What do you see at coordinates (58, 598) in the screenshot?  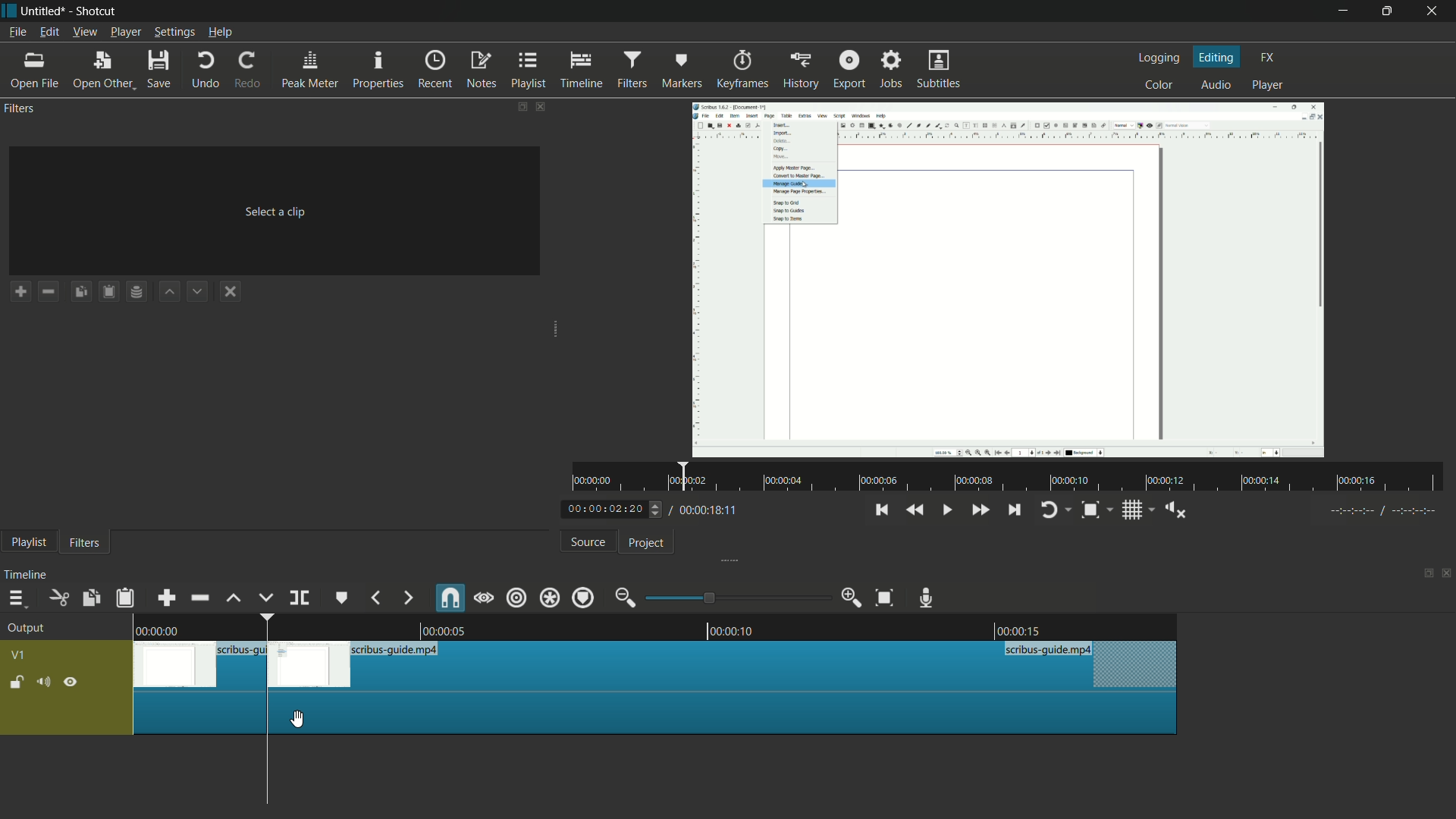 I see `cut` at bounding box center [58, 598].